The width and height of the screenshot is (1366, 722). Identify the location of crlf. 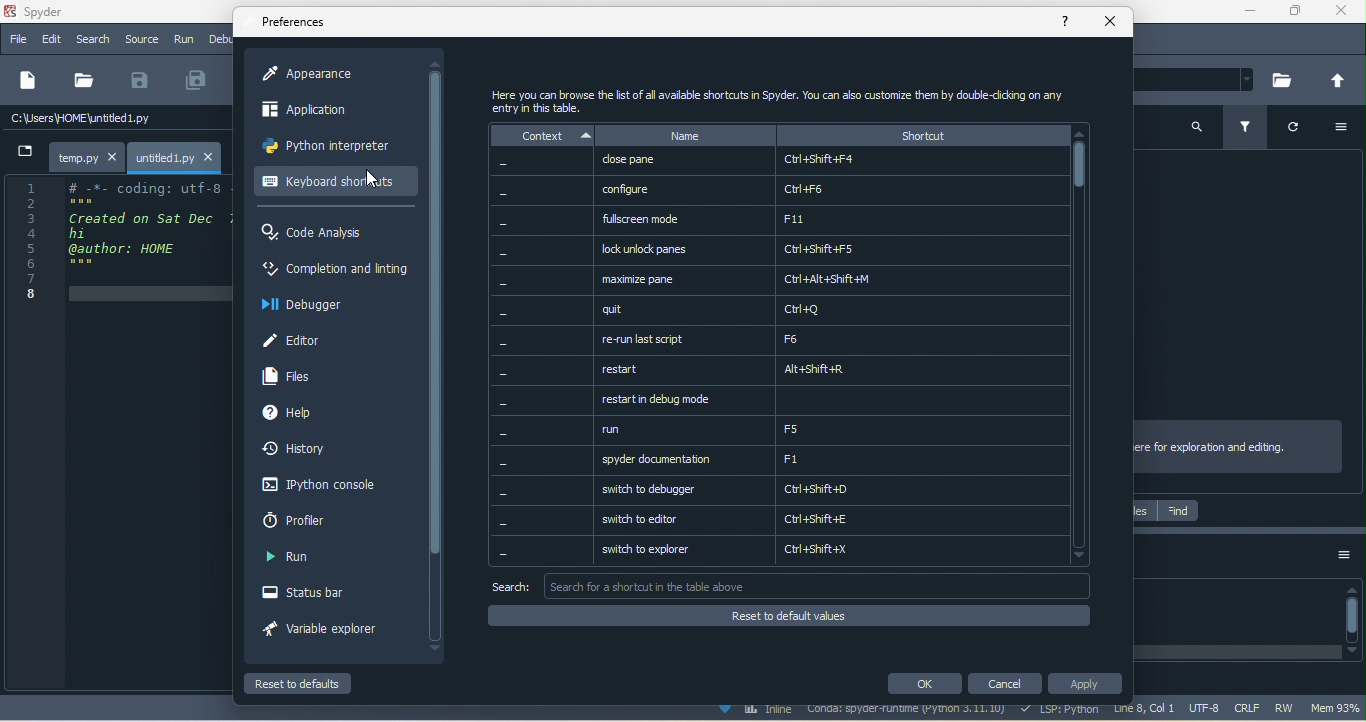
(1244, 706).